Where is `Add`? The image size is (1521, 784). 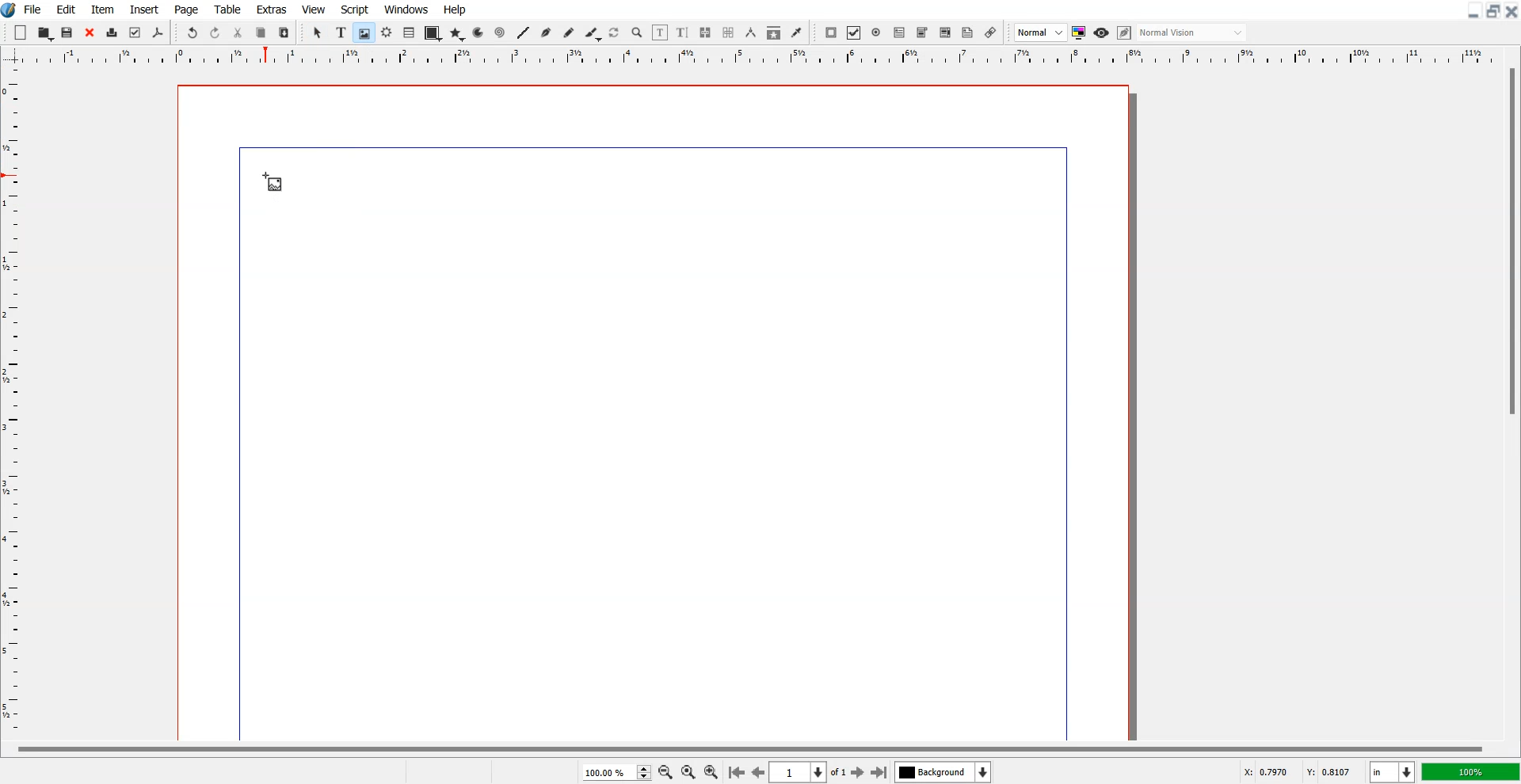
Add is located at coordinates (21, 32).